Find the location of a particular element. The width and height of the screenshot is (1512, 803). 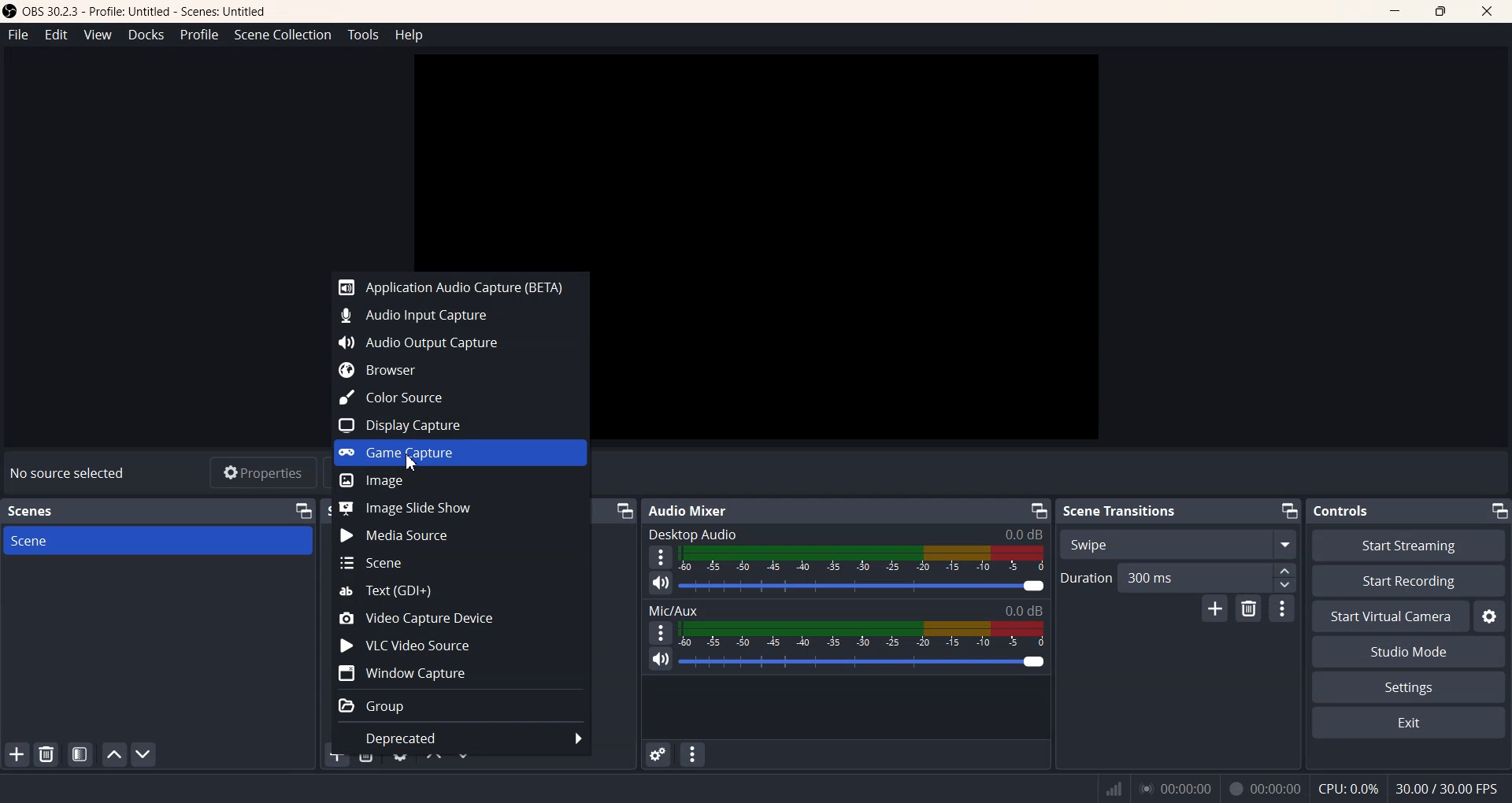

Text is located at coordinates (691, 511).